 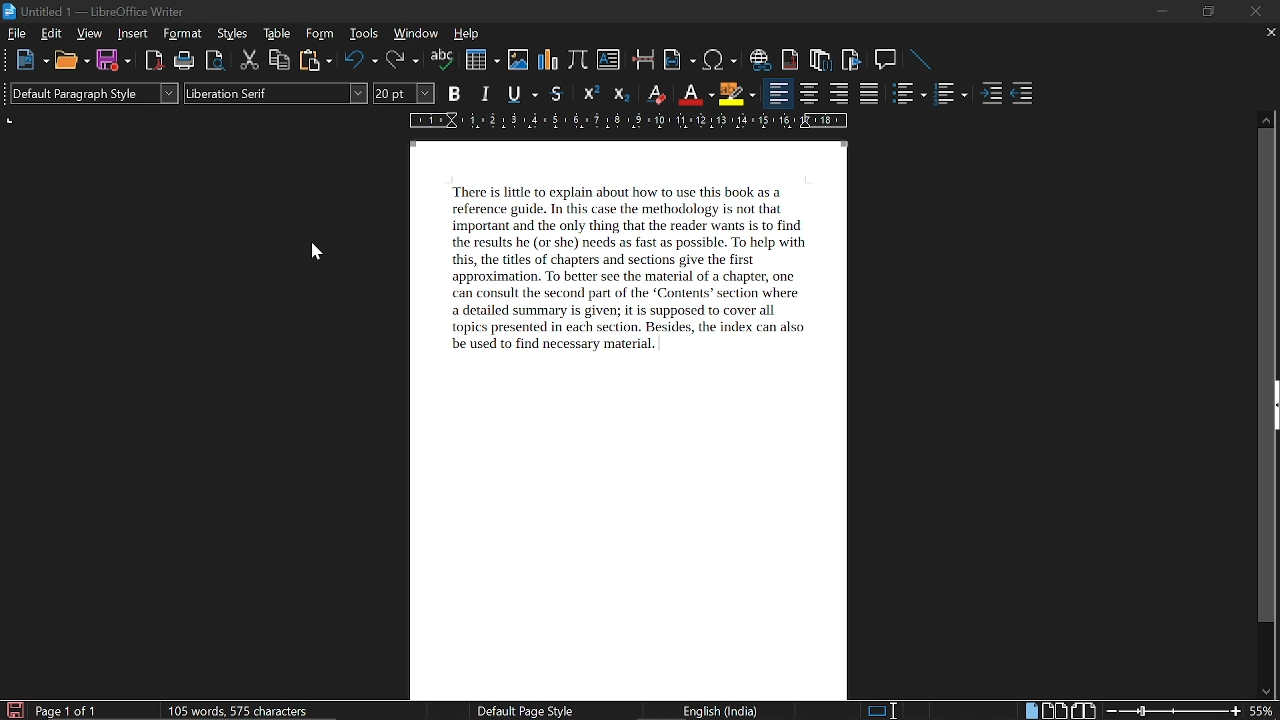 What do you see at coordinates (17, 33) in the screenshot?
I see `file` at bounding box center [17, 33].